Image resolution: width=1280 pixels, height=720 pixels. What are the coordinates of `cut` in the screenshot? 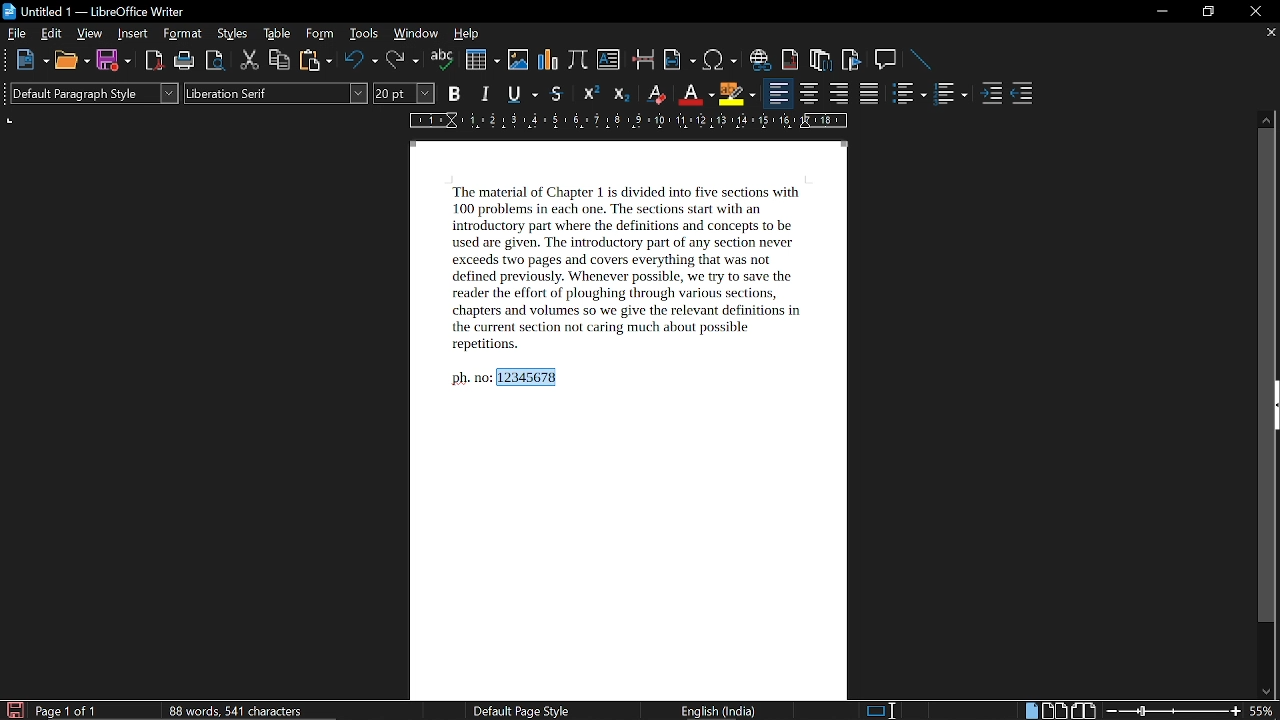 It's located at (250, 61).